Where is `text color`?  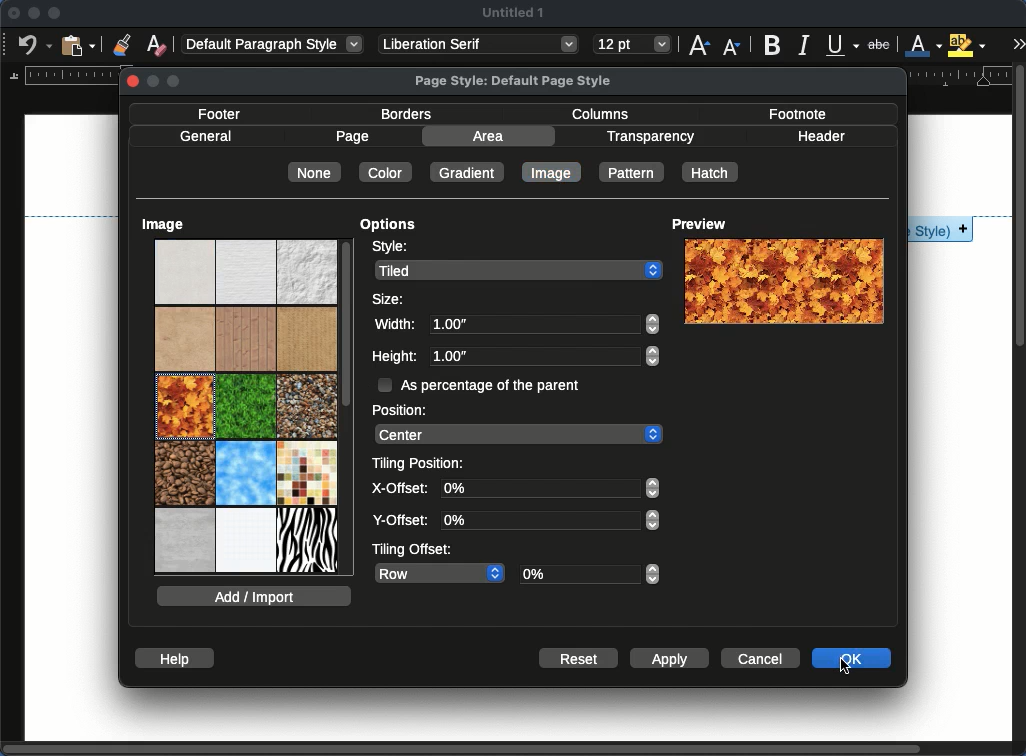 text color is located at coordinates (924, 45).